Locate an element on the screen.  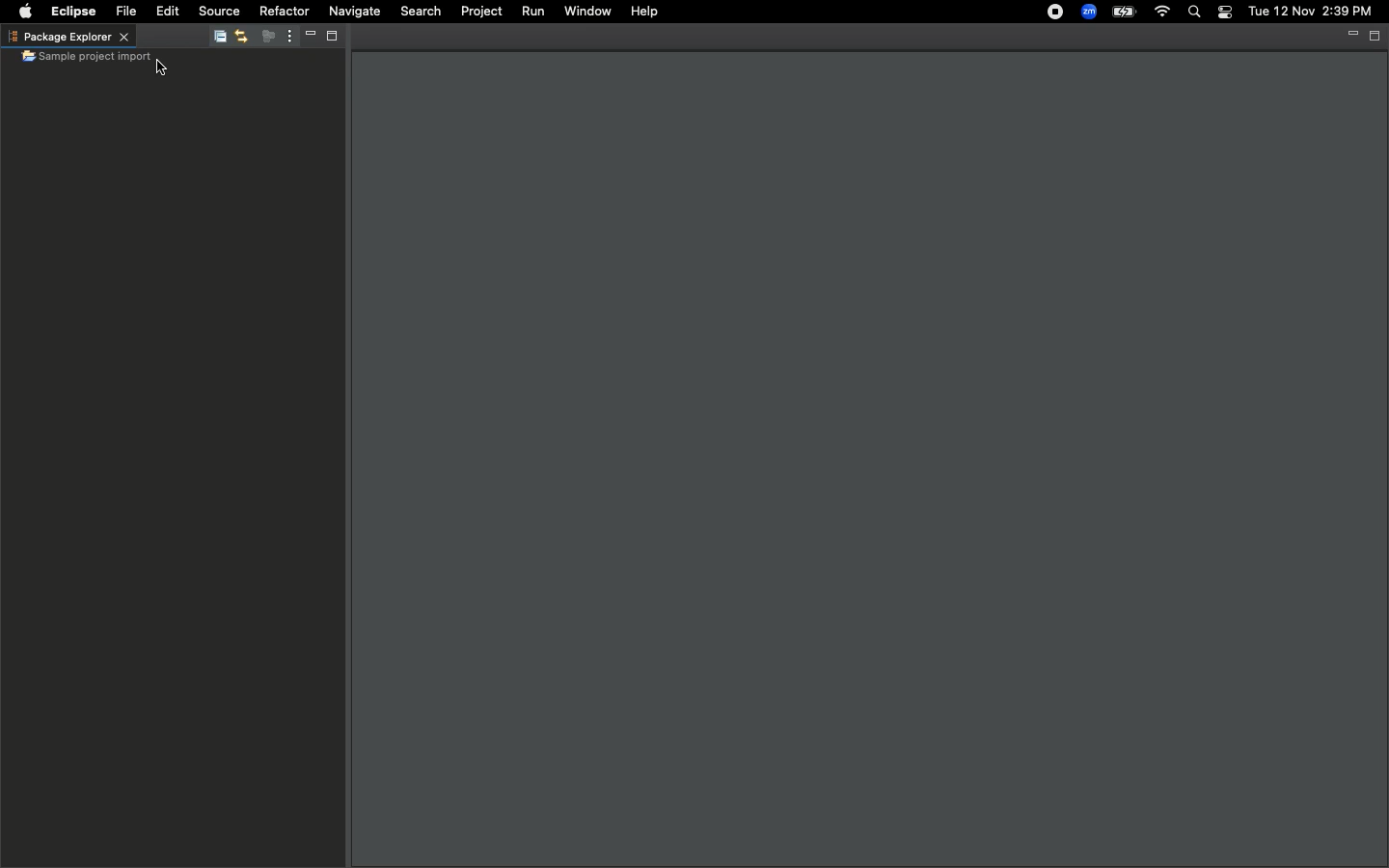
Minimize is located at coordinates (305, 38).